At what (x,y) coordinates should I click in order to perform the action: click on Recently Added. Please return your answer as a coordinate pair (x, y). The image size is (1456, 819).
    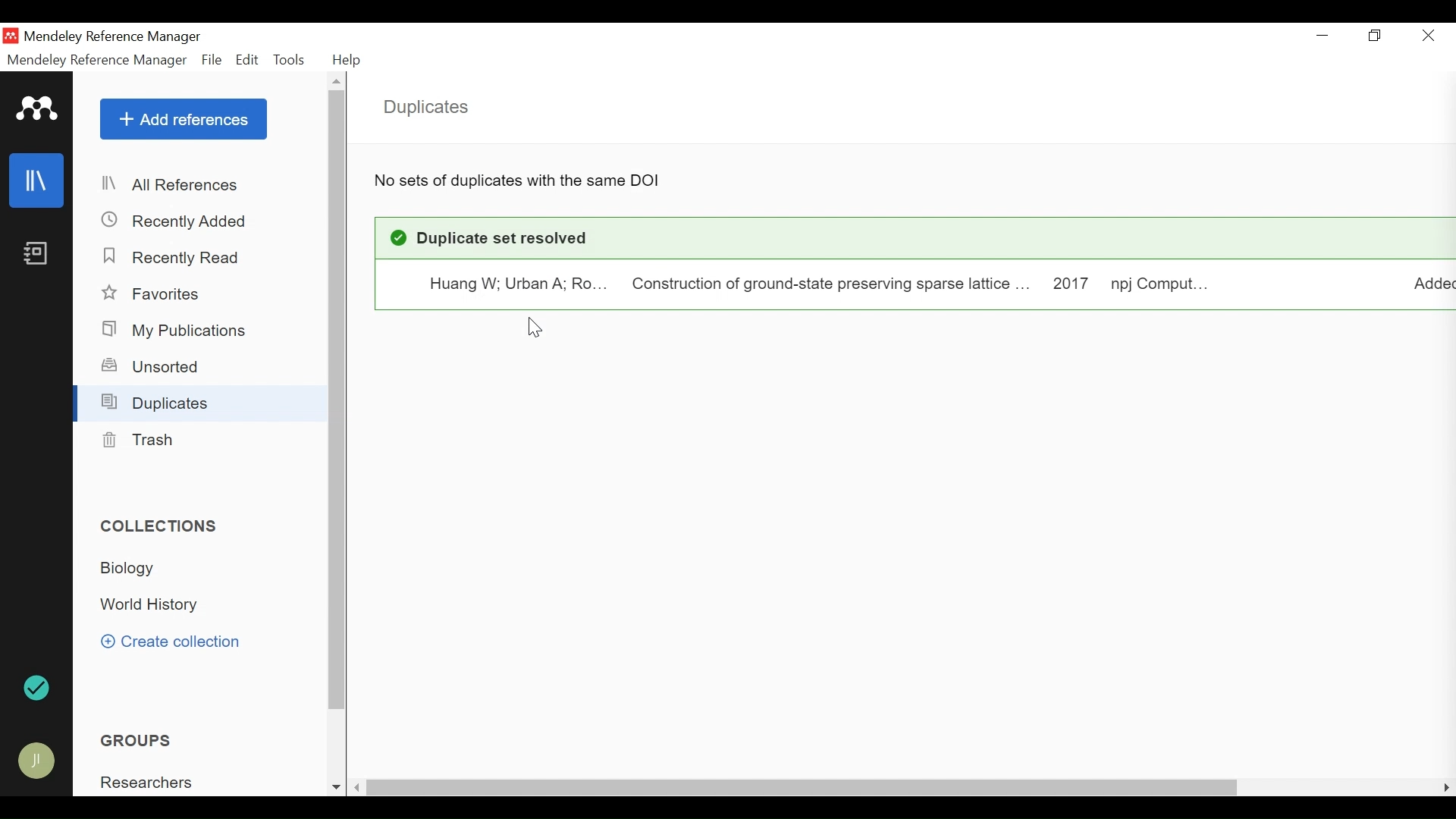
    Looking at the image, I should click on (179, 220).